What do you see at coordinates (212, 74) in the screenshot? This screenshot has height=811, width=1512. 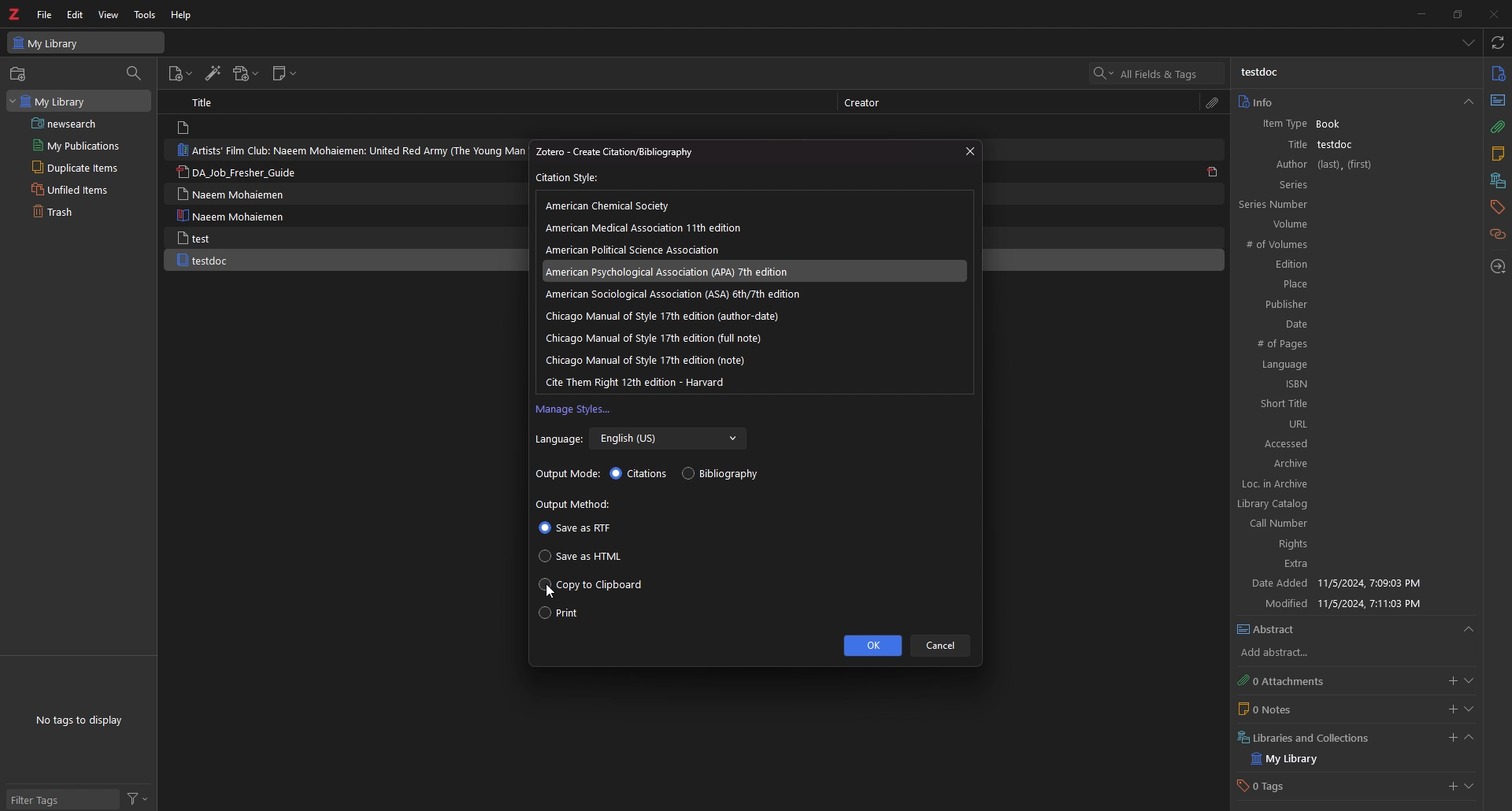 I see `add items by identifier` at bounding box center [212, 74].